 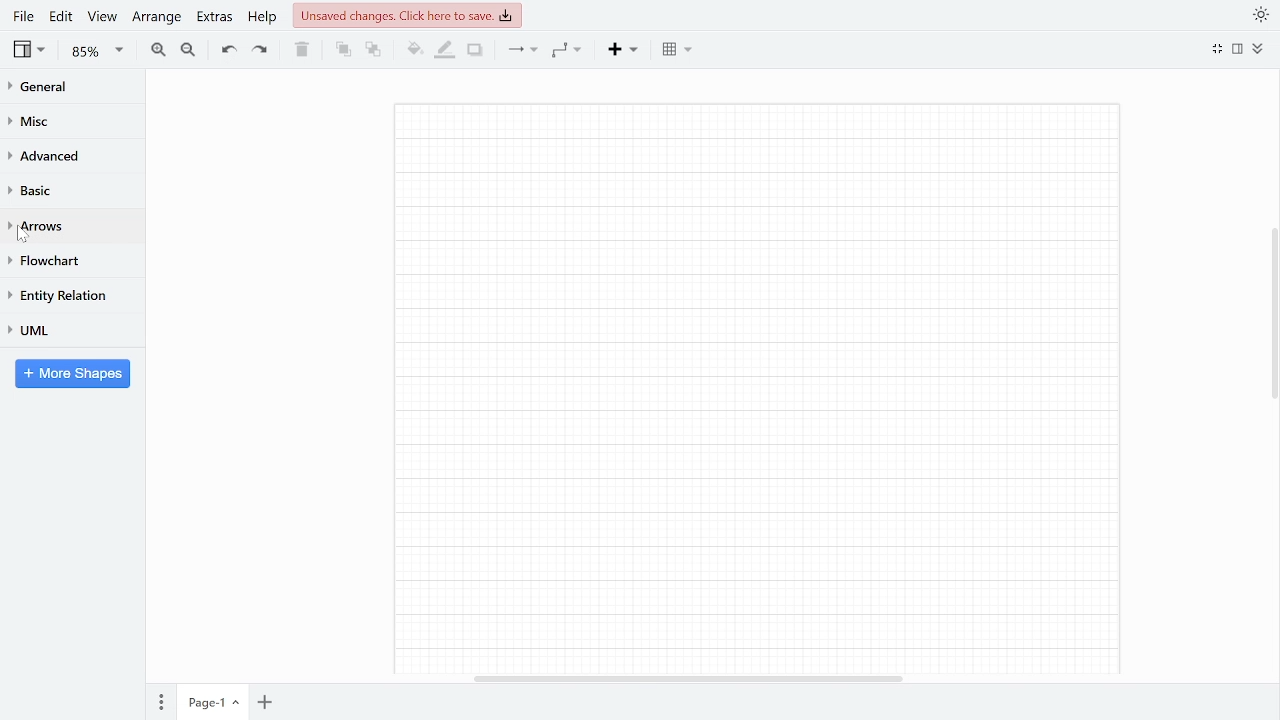 I want to click on Collapse, so click(x=1258, y=49).